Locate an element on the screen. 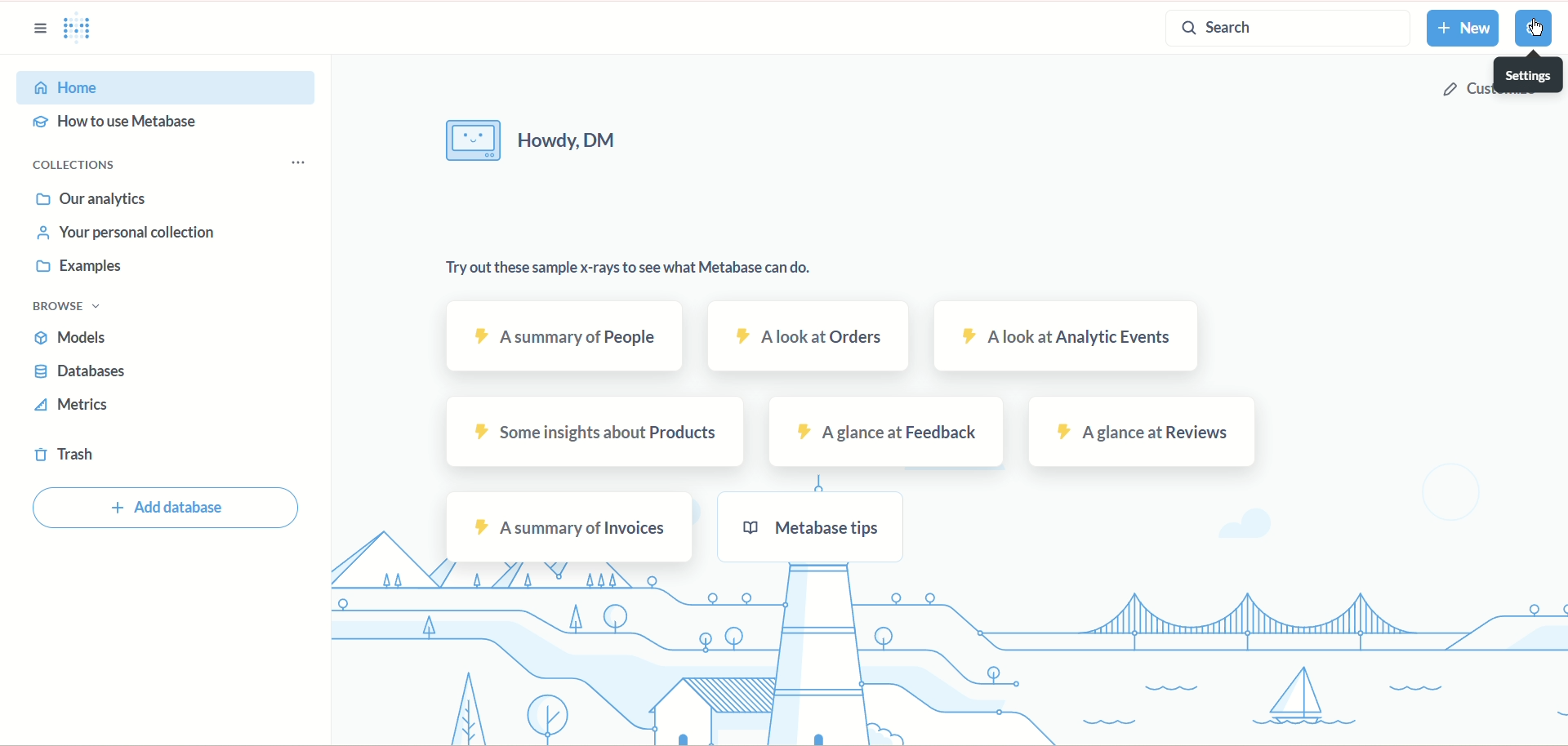 The width and height of the screenshot is (1568, 746). our analytics is located at coordinates (92, 200).